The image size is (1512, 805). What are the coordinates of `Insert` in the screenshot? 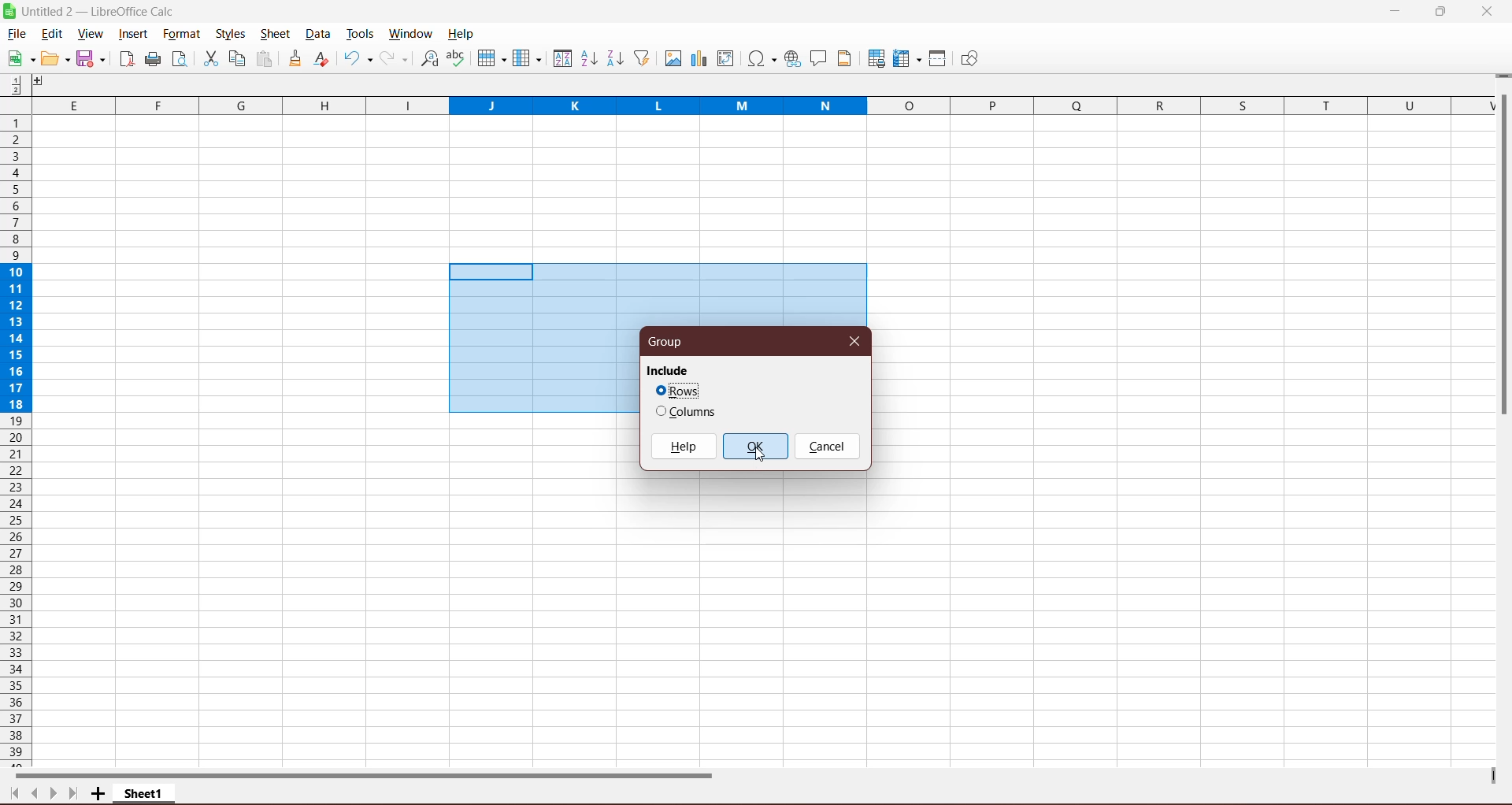 It's located at (134, 34).